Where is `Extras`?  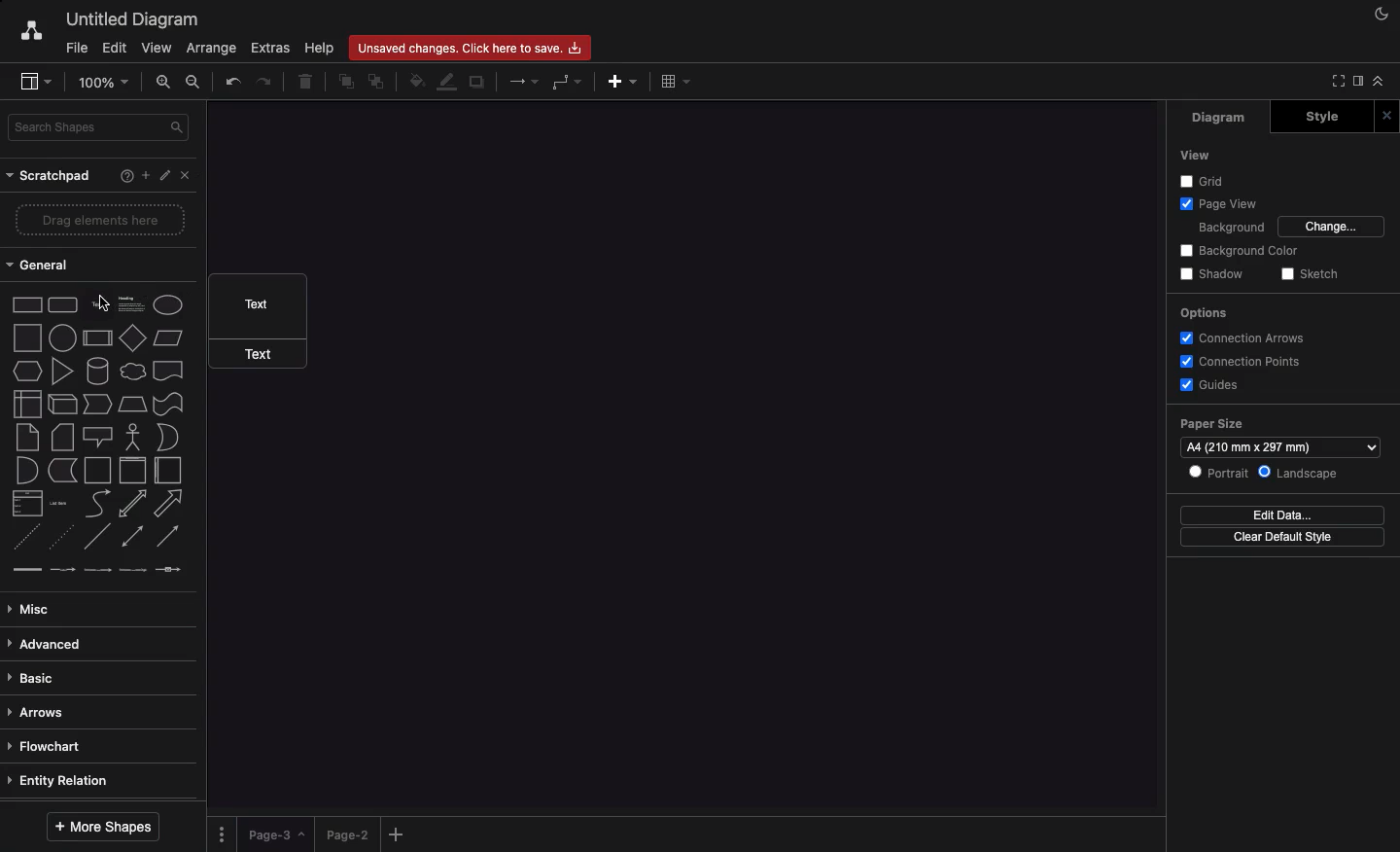
Extras is located at coordinates (271, 48).